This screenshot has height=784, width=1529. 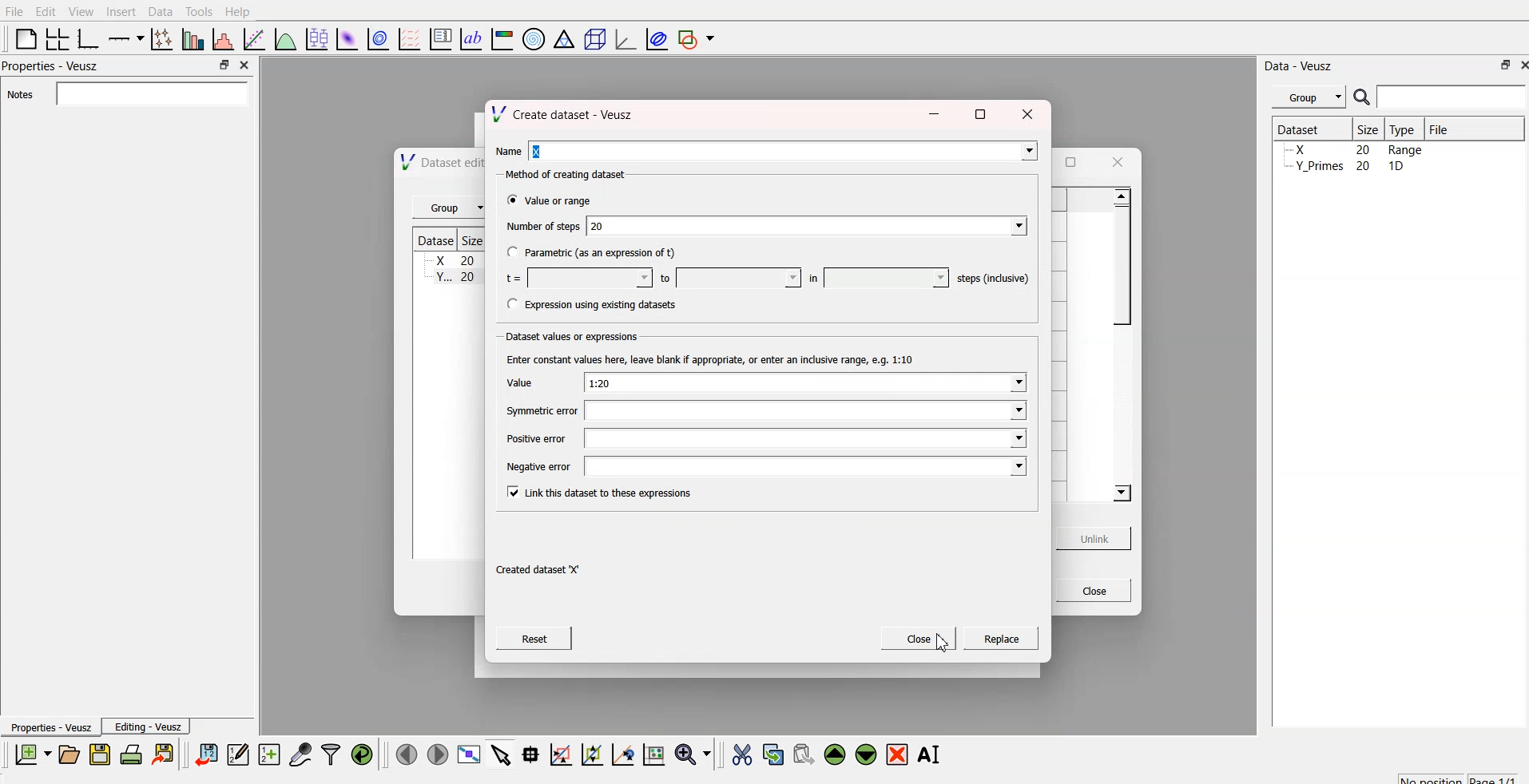 I want to click on Numberof steps [0, so click(x=768, y=224).